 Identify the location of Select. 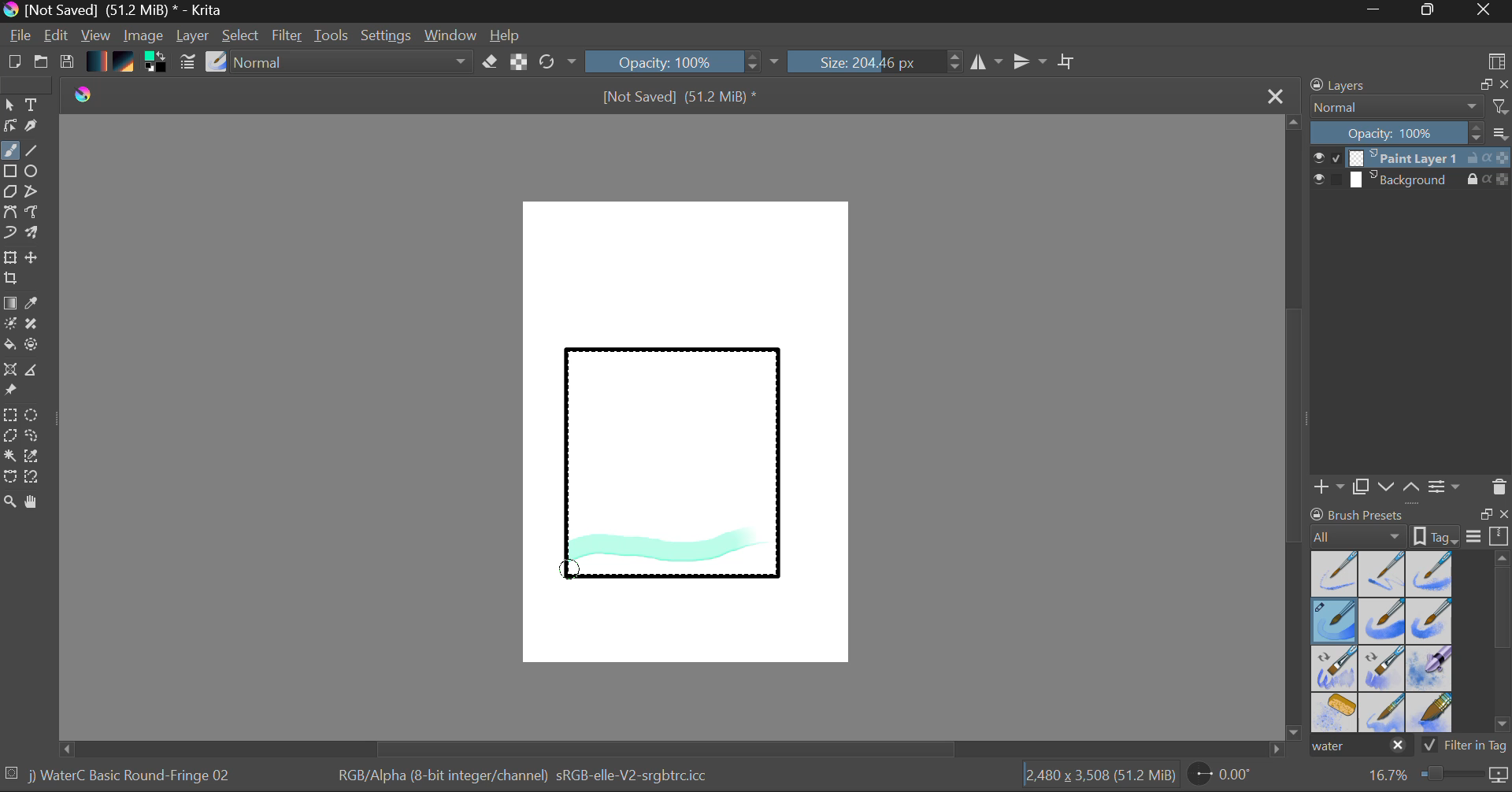
(242, 36).